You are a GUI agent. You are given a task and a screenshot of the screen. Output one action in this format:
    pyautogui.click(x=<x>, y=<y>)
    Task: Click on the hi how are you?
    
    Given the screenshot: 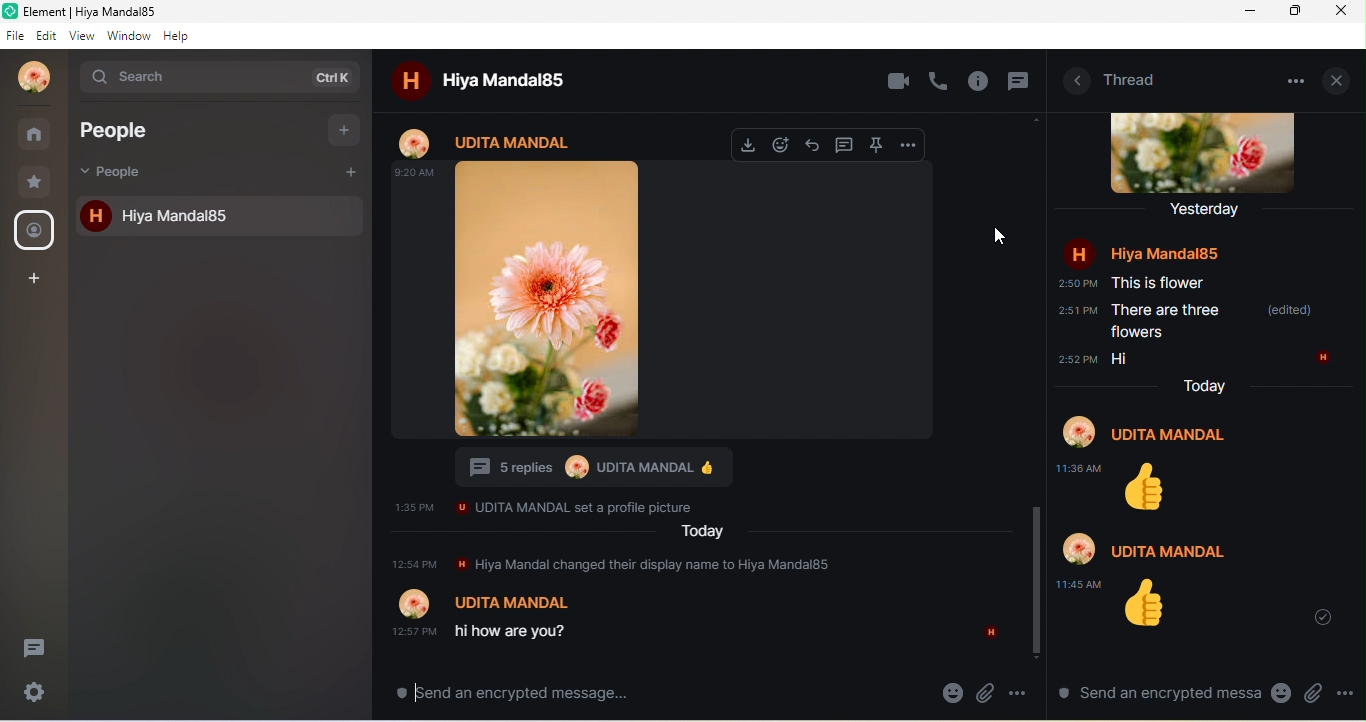 What is the action you would take?
    pyautogui.click(x=524, y=632)
    